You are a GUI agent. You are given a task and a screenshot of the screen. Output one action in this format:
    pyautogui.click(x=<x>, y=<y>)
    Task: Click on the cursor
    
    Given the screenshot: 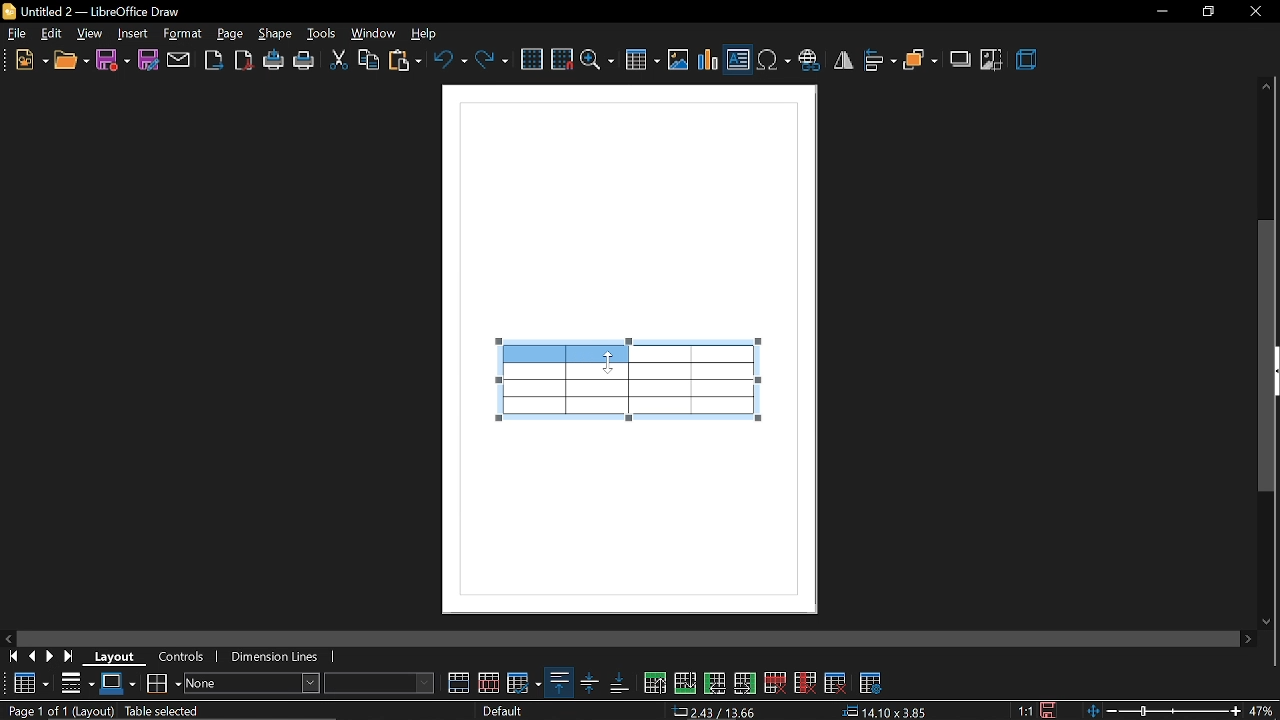 What is the action you would take?
    pyautogui.click(x=610, y=361)
    